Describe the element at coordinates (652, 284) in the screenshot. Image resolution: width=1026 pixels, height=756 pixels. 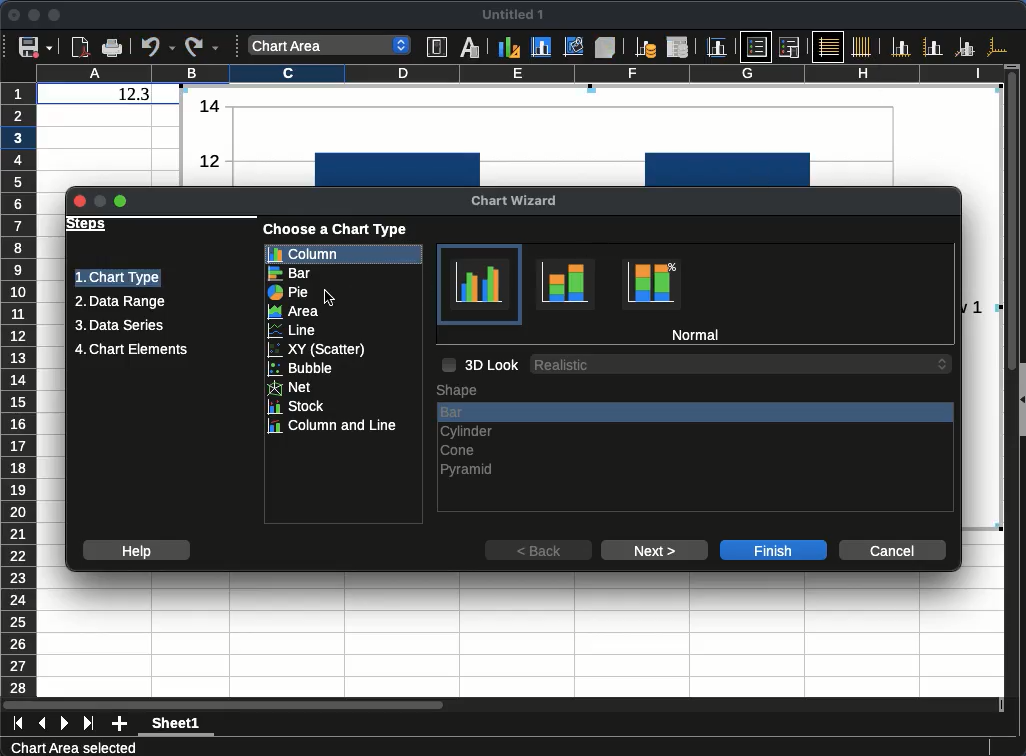
I see `Percent stacked` at that location.